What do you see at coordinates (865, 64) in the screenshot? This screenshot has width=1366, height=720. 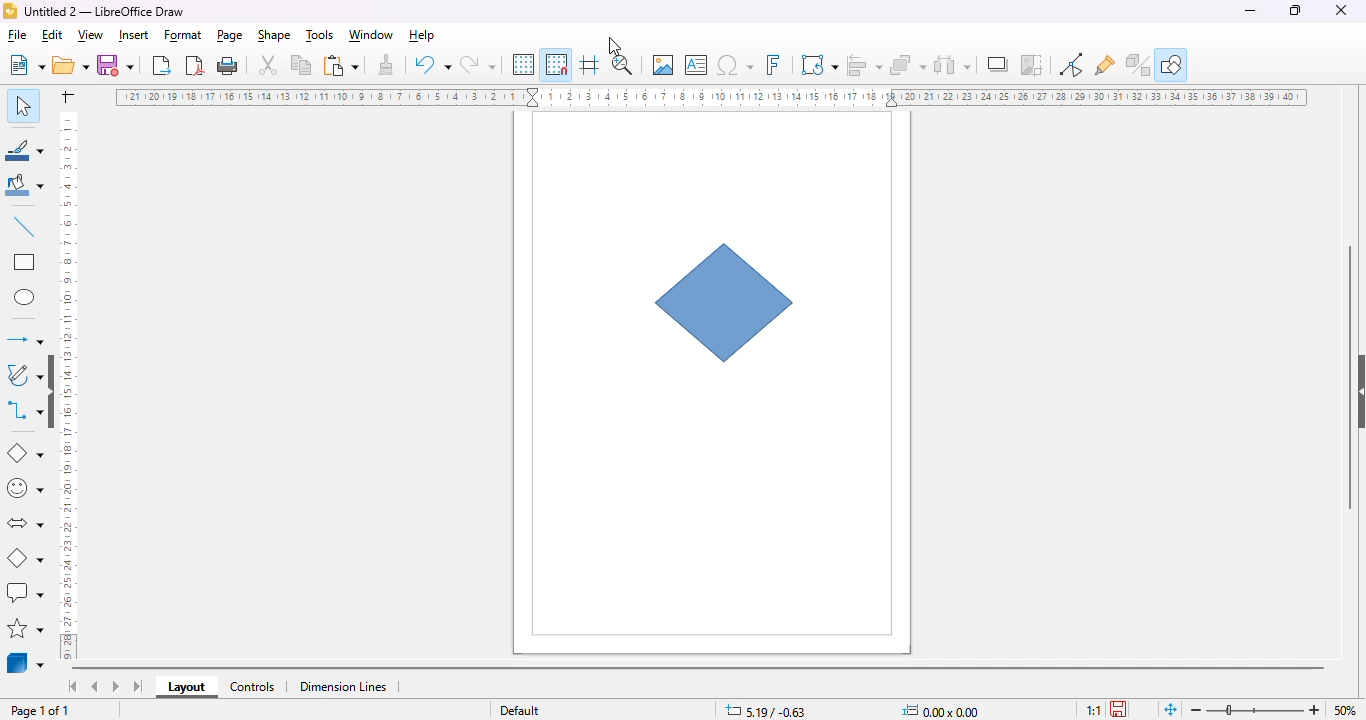 I see `align objects` at bounding box center [865, 64].